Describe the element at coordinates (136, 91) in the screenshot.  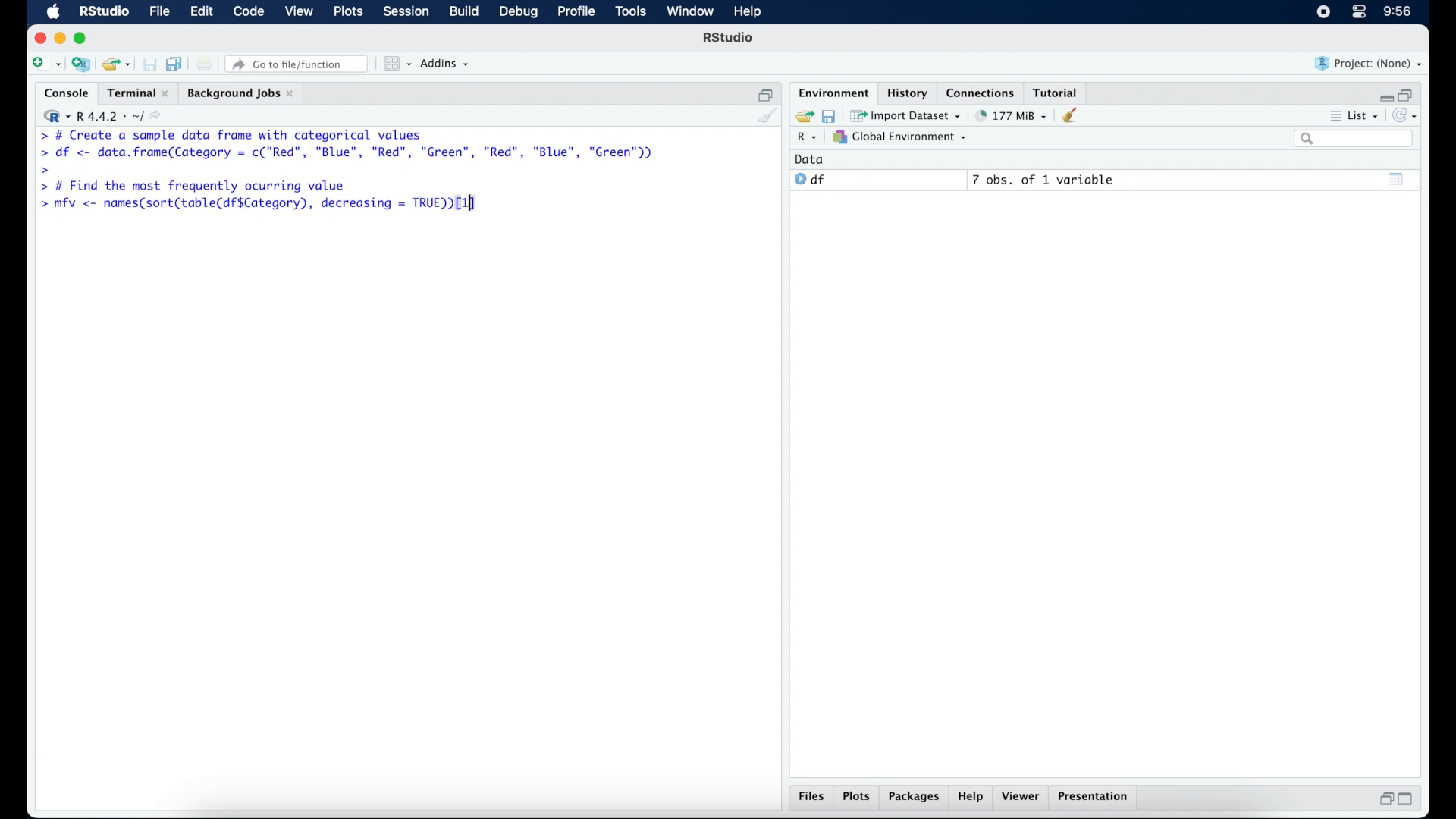
I see `terminal` at that location.